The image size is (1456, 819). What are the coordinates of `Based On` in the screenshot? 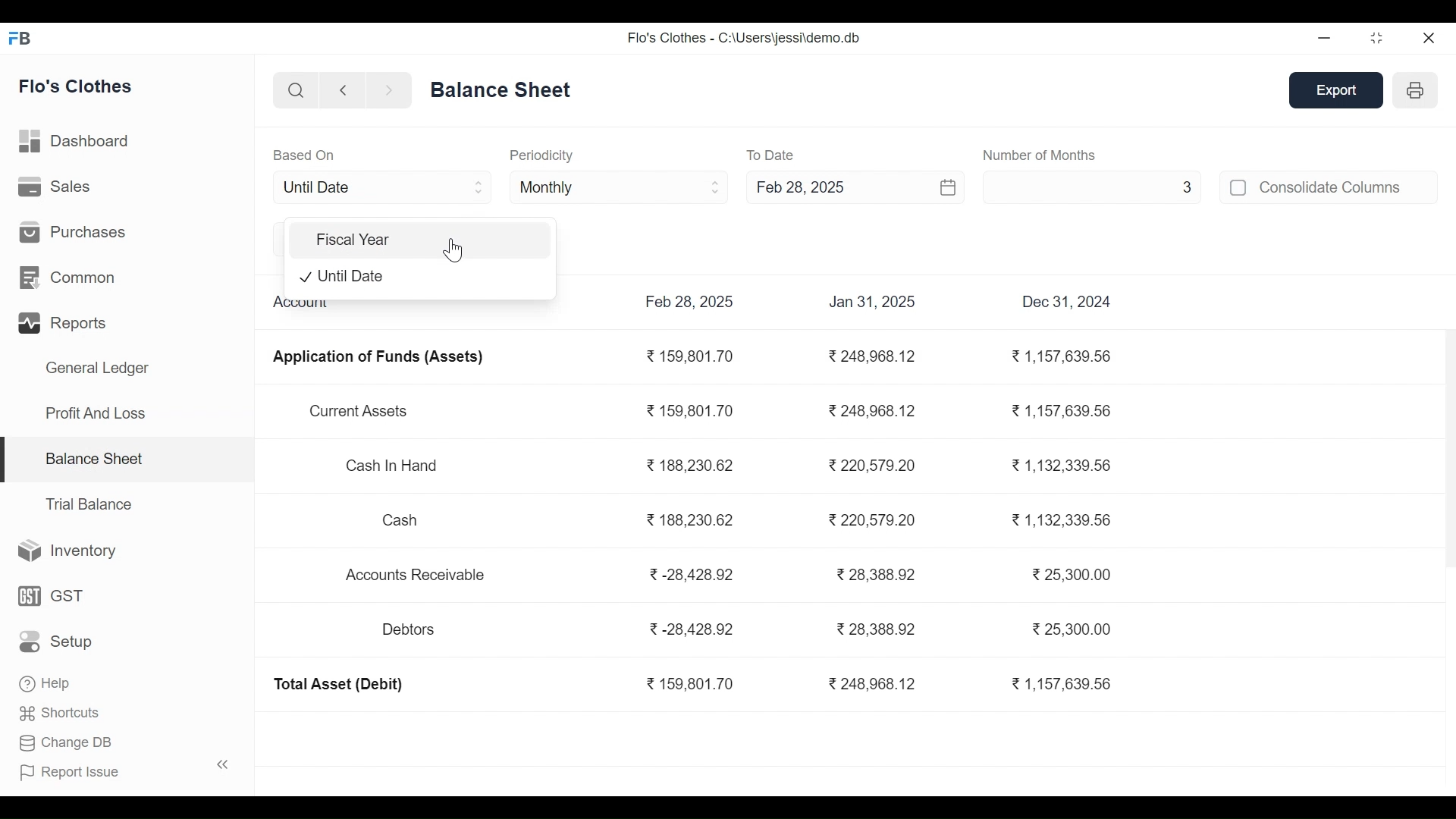 It's located at (304, 155).